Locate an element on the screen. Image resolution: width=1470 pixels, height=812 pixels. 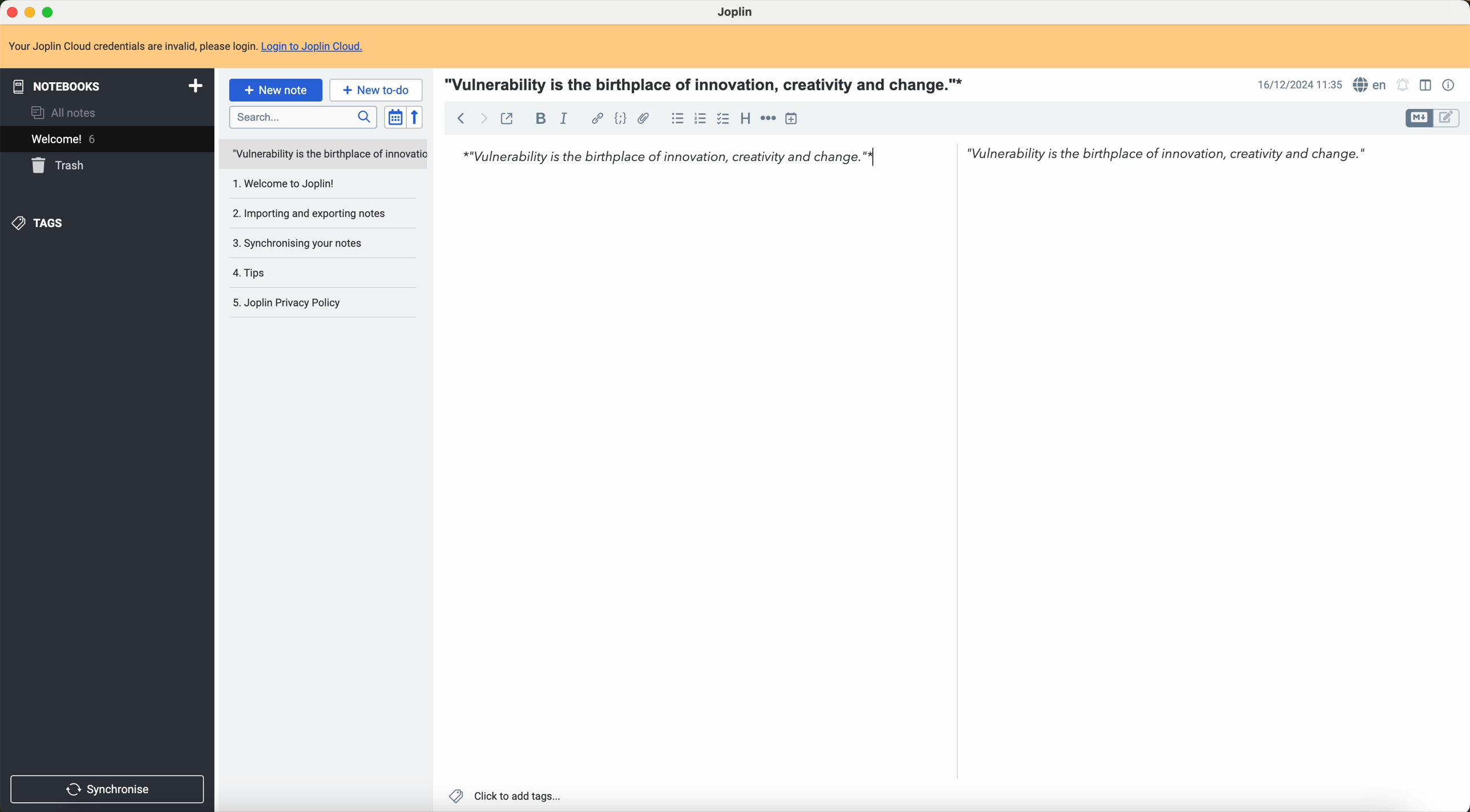
tags is located at coordinates (42, 223).